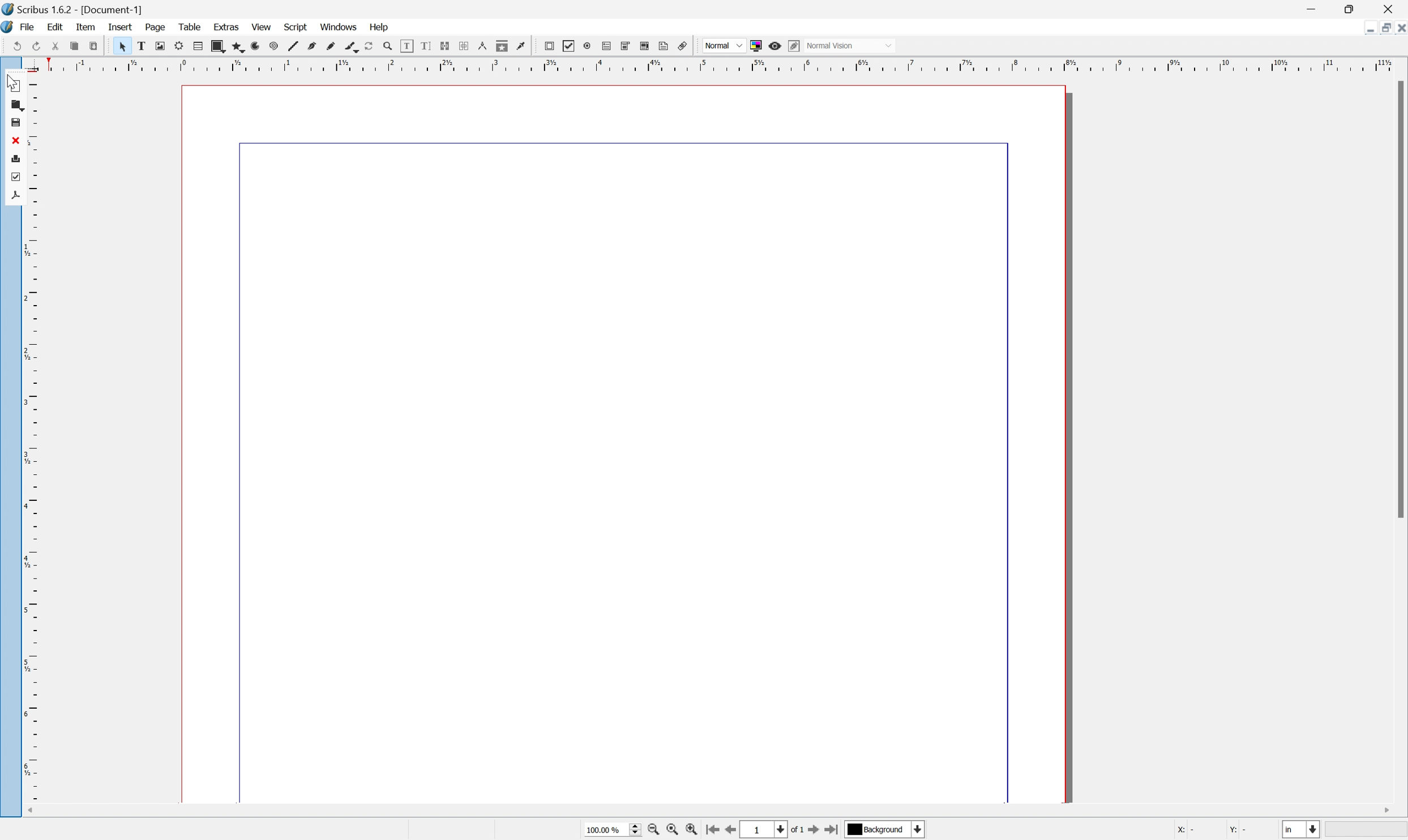  Describe the element at coordinates (199, 46) in the screenshot. I see `cut` at that location.